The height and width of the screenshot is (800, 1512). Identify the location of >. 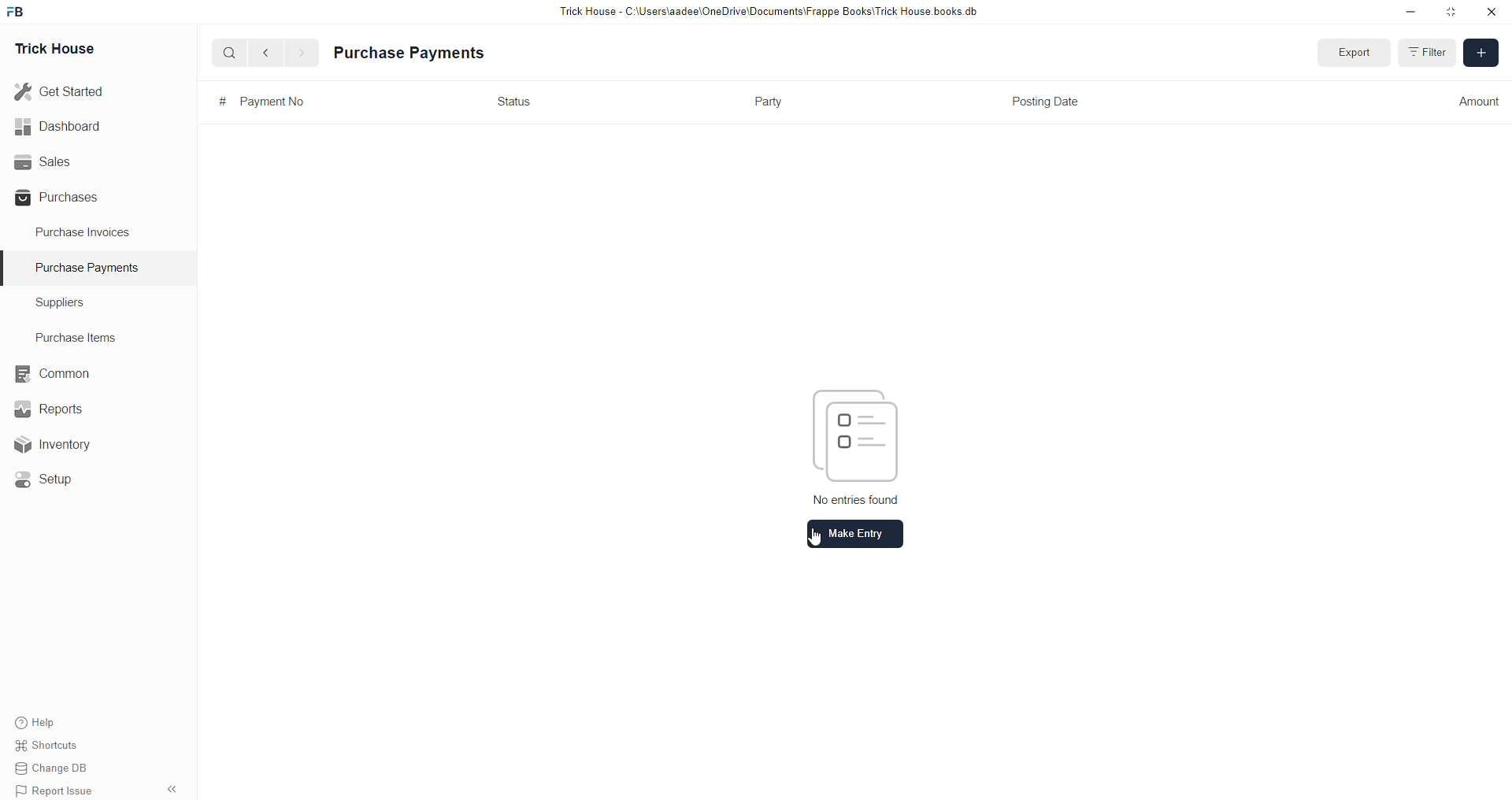
(301, 53).